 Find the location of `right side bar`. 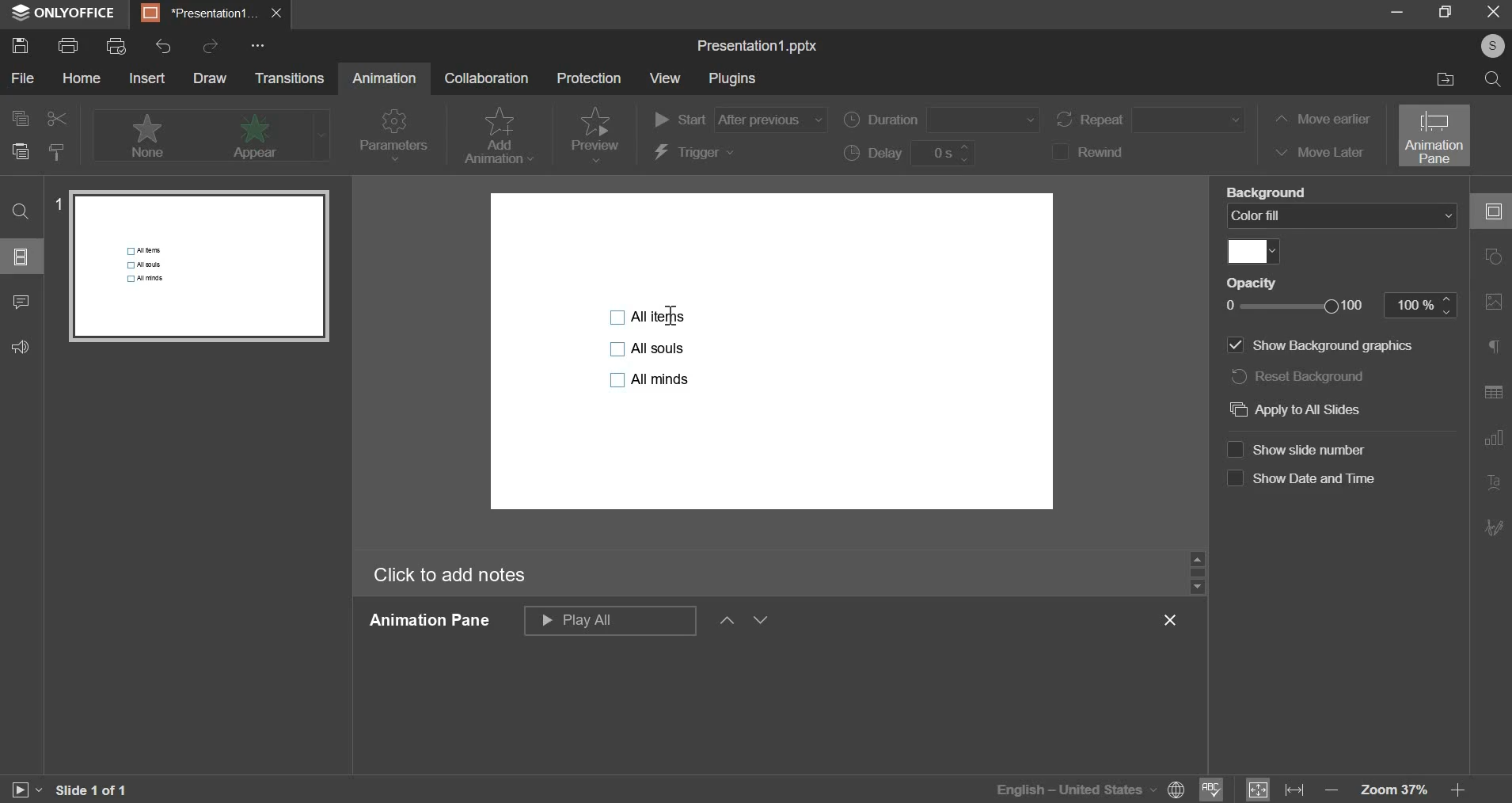

right side bar is located at coordinates (1493, 370).